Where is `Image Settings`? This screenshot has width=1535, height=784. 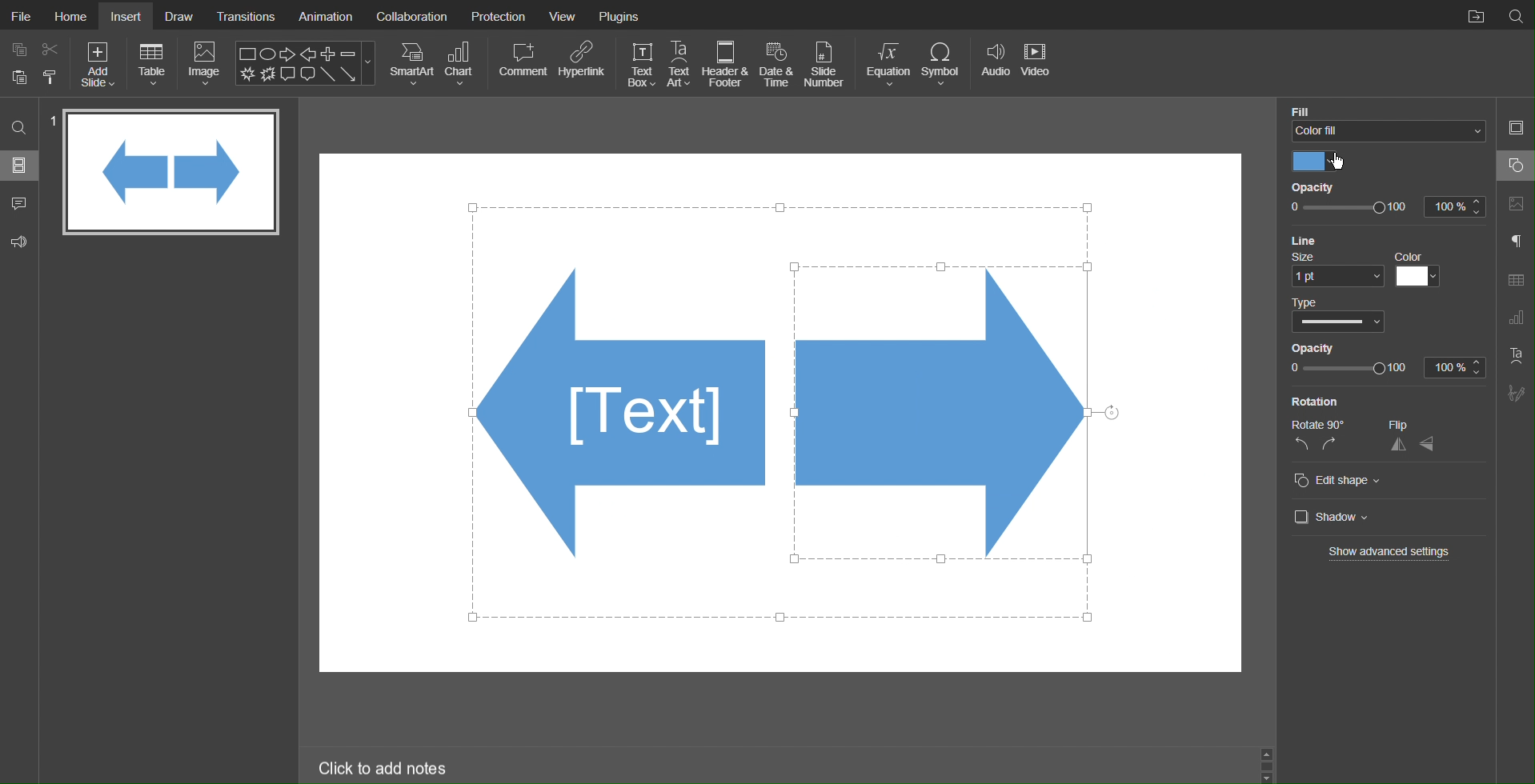 Image Settings is located at coordinates (1515, 205).